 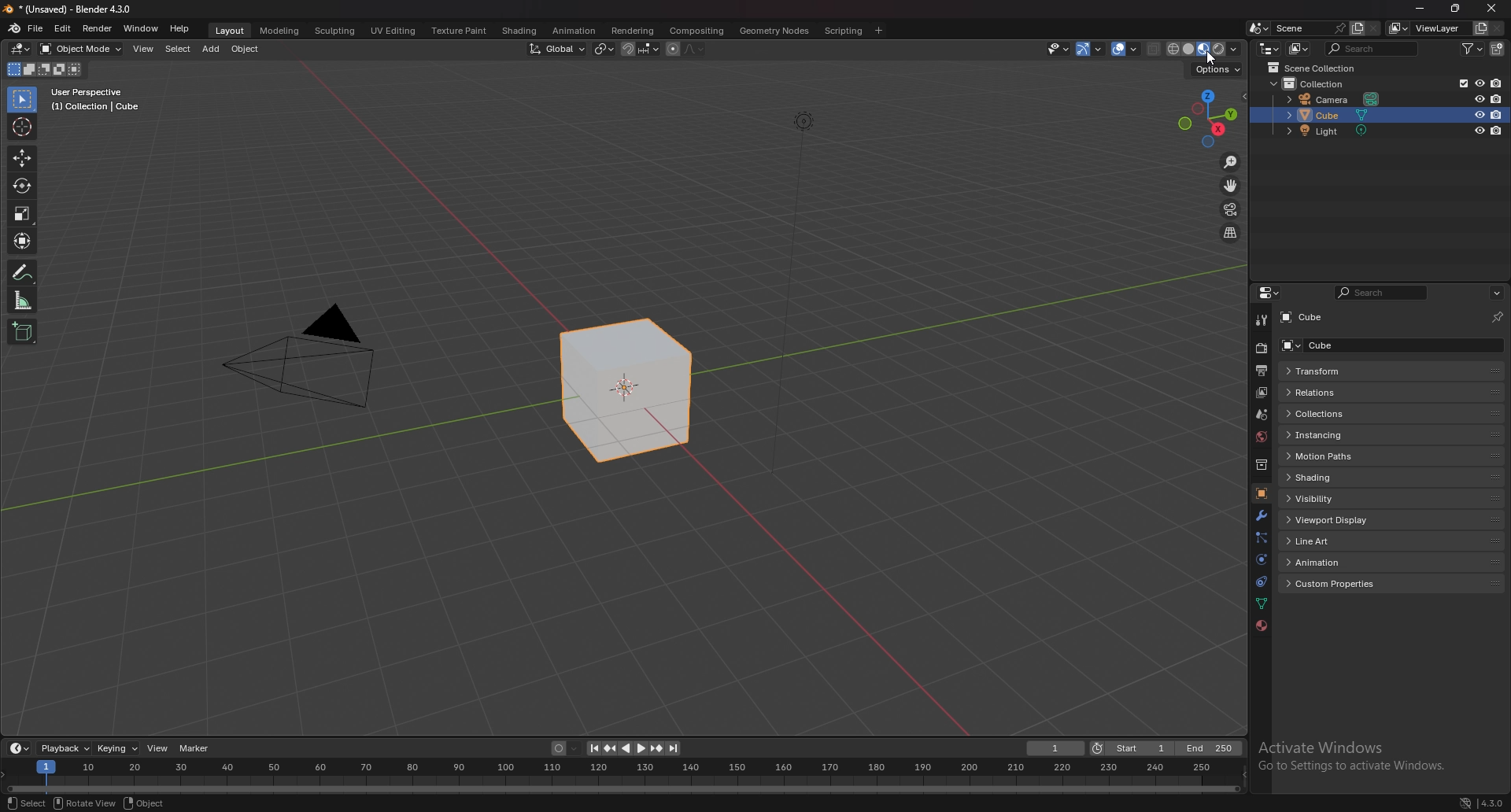 What do you see at coordinates (20, 50) in the screenshot?
I see `editor type` at bounding box center [20, 50].